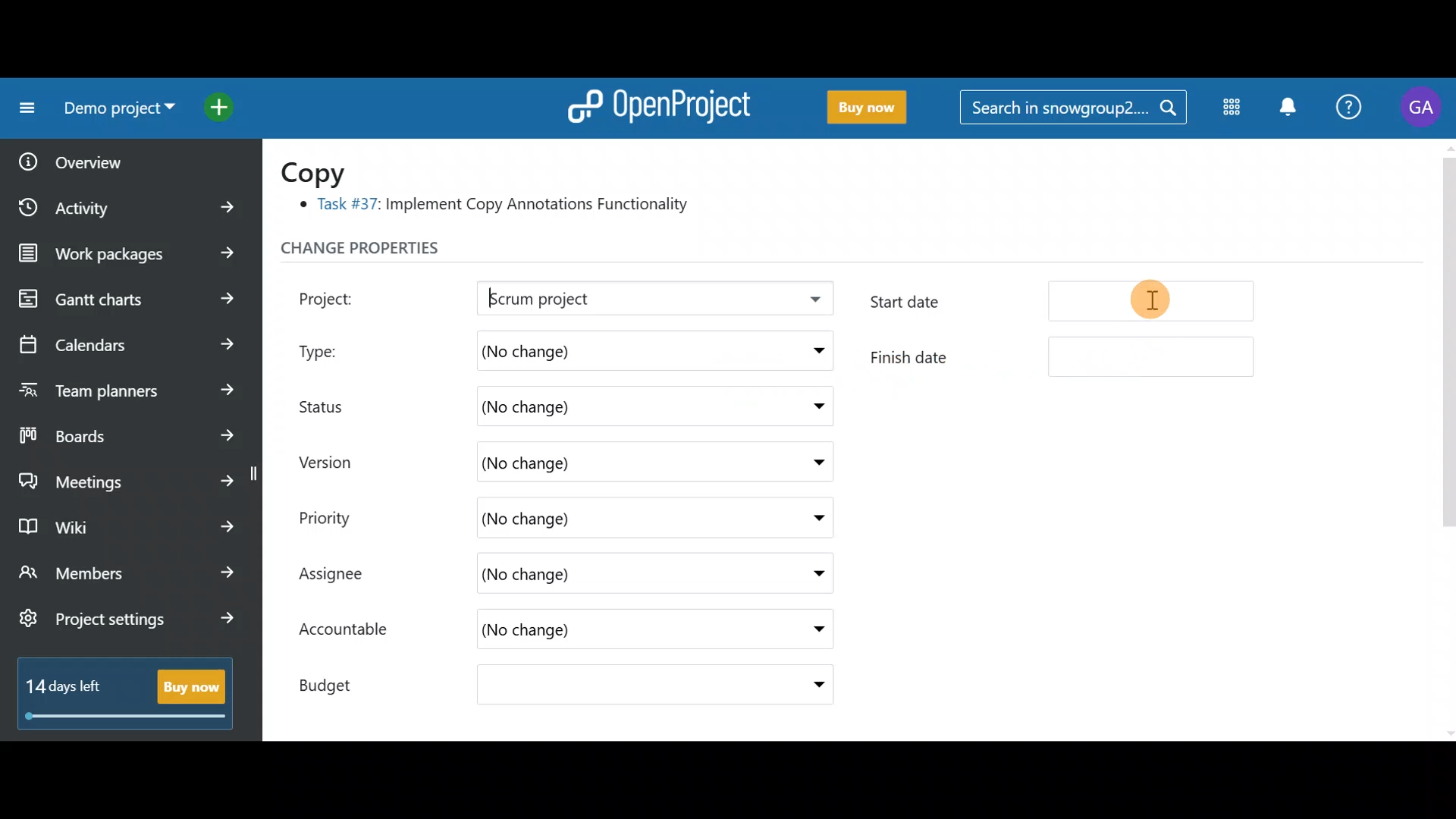 The width and height of the screenshot is (1456, 819). I want to click on (No change), so click(582, 632).